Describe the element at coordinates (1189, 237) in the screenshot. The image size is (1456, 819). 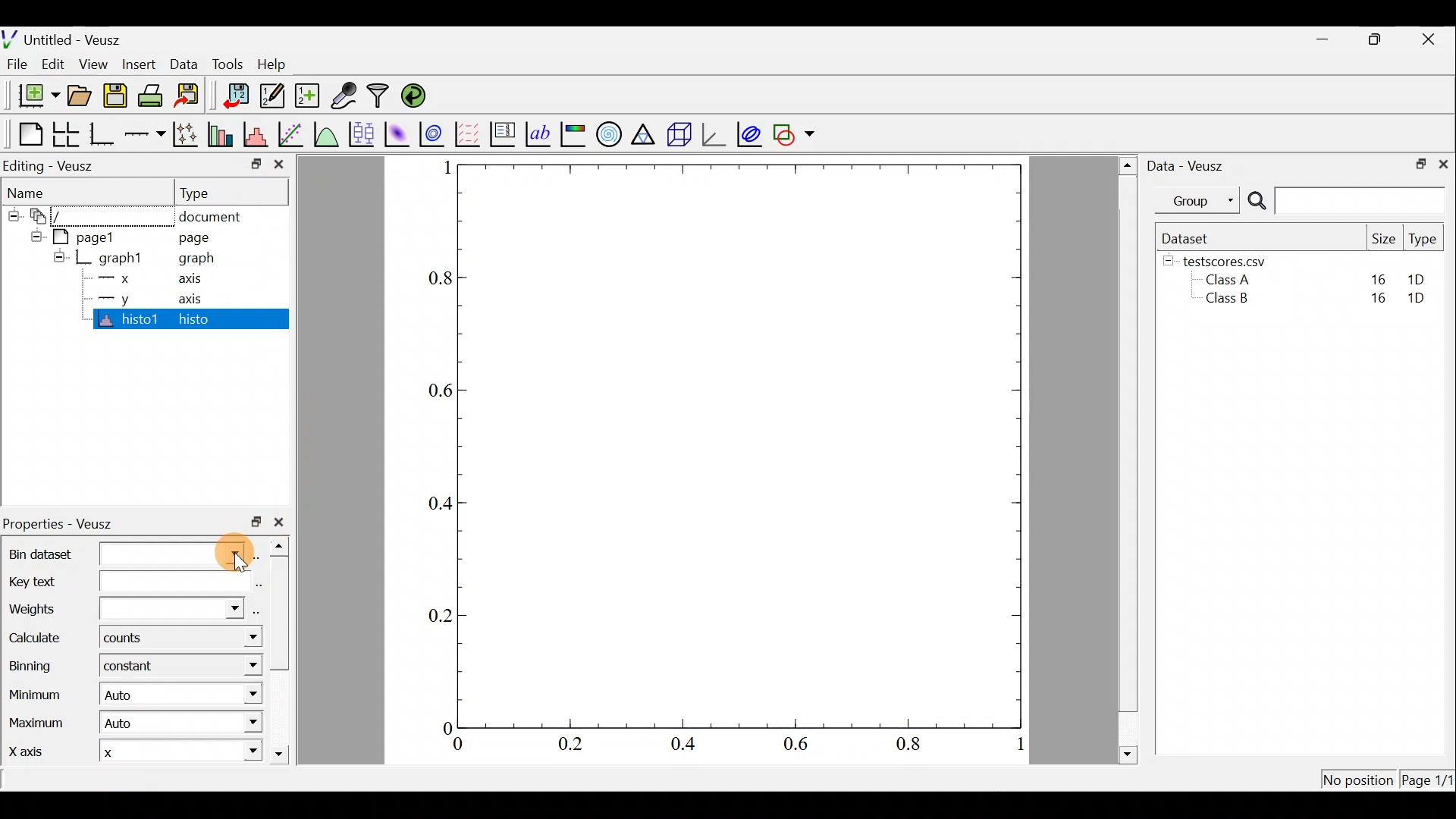
I see `Dataset` at that location.